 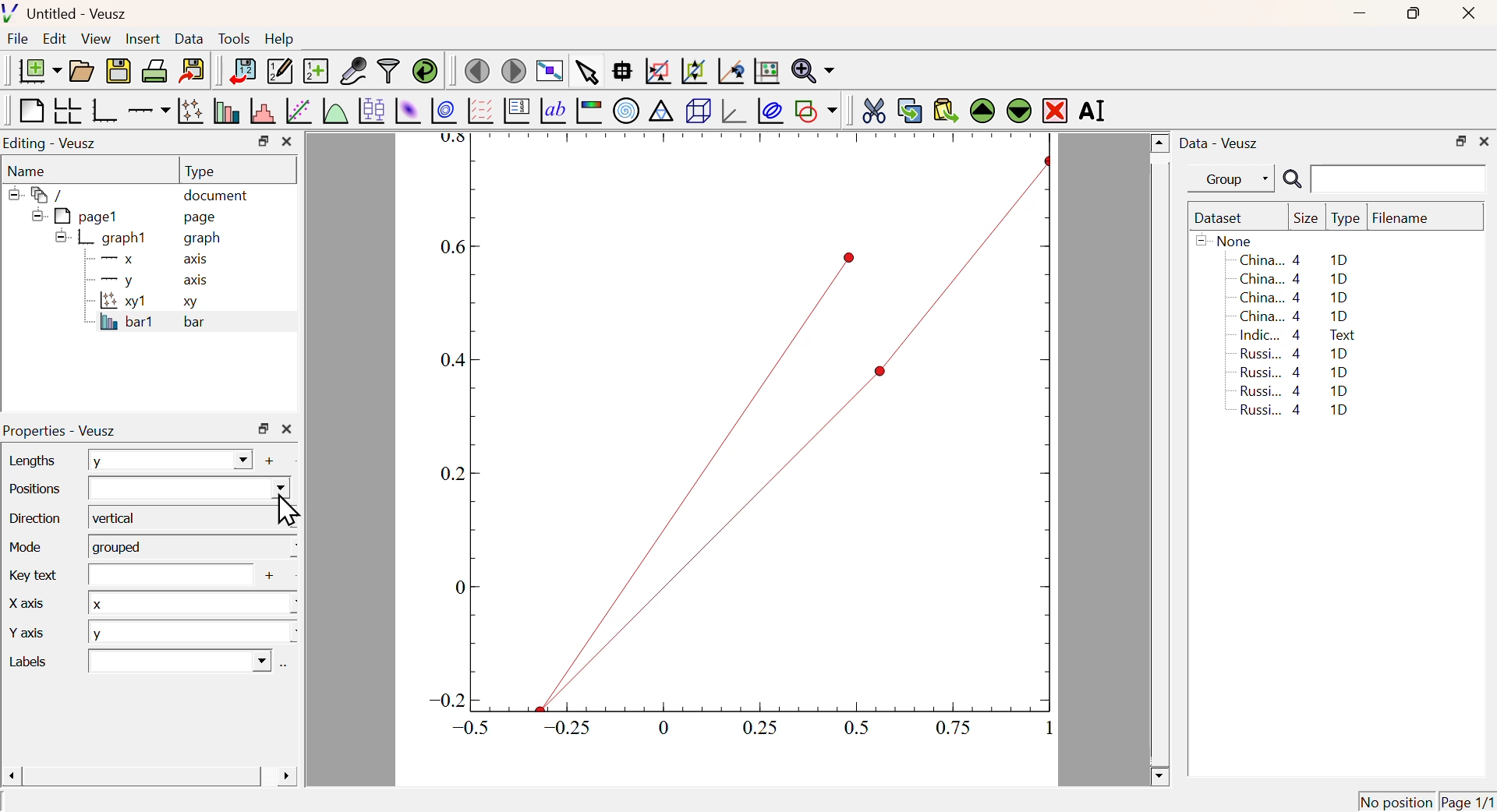 What do you see at coordinates (1292, 180) in the screenshot?
I see `Search` at bounding box center [1292, 180].